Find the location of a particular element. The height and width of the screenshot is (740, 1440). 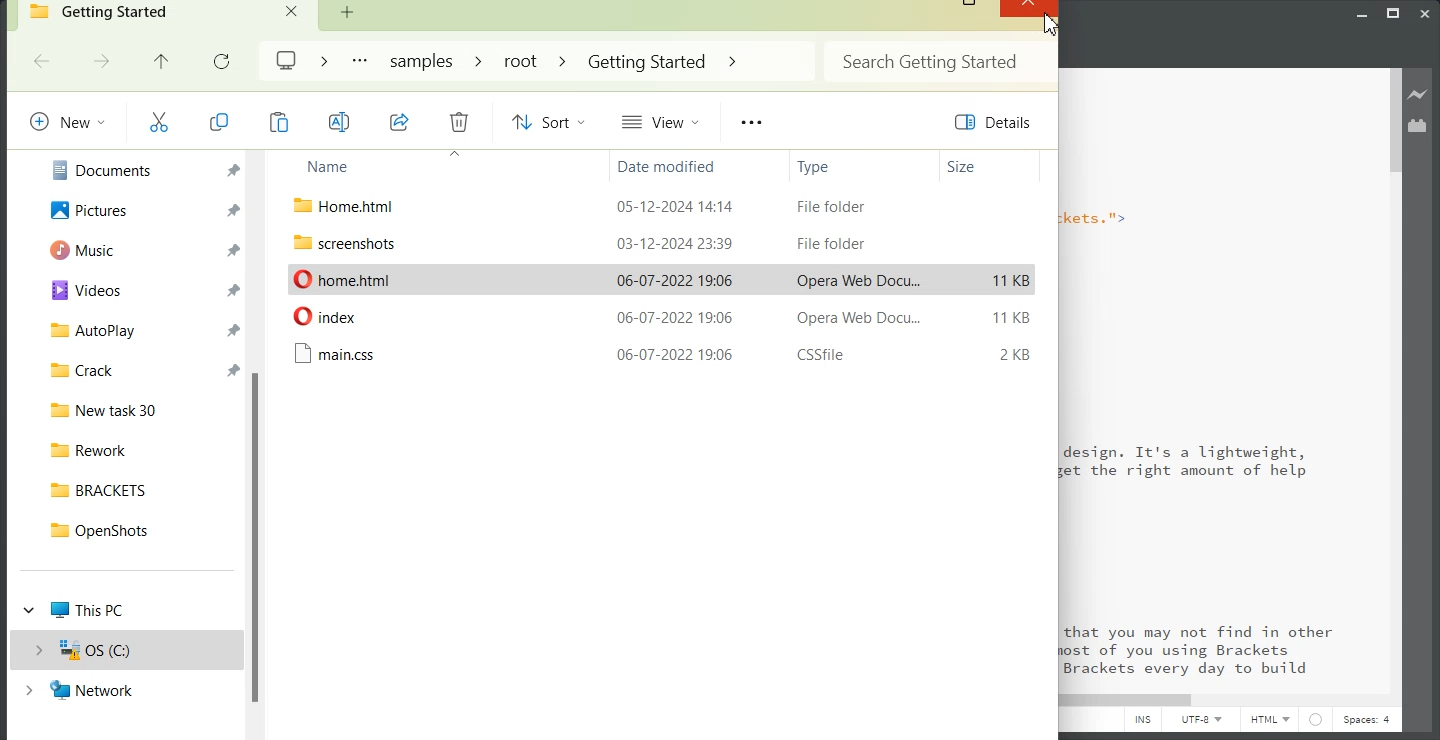

date modified is located at coordinates (669, 279).